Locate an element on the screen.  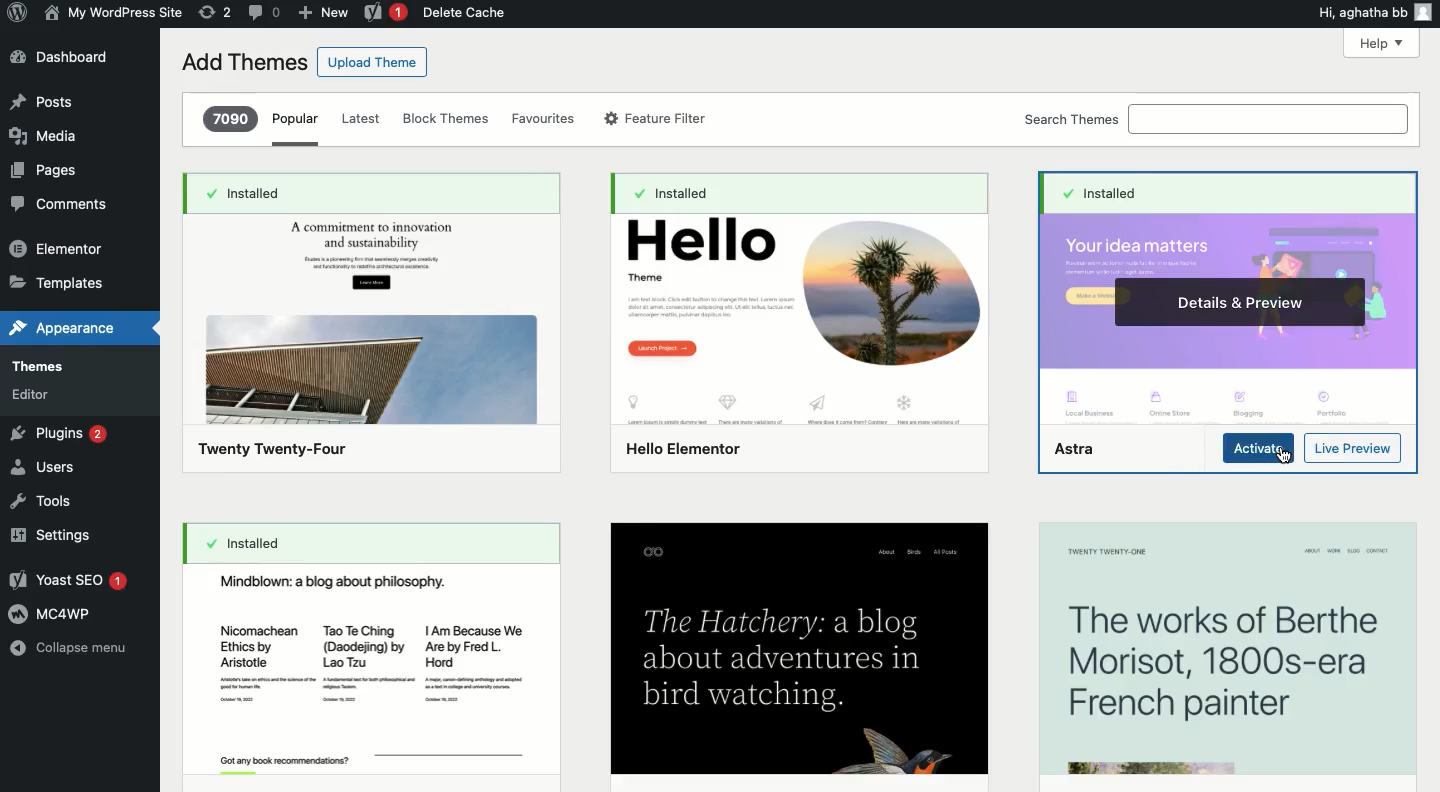
Plugins 2 is located at coordinates (62, 436).